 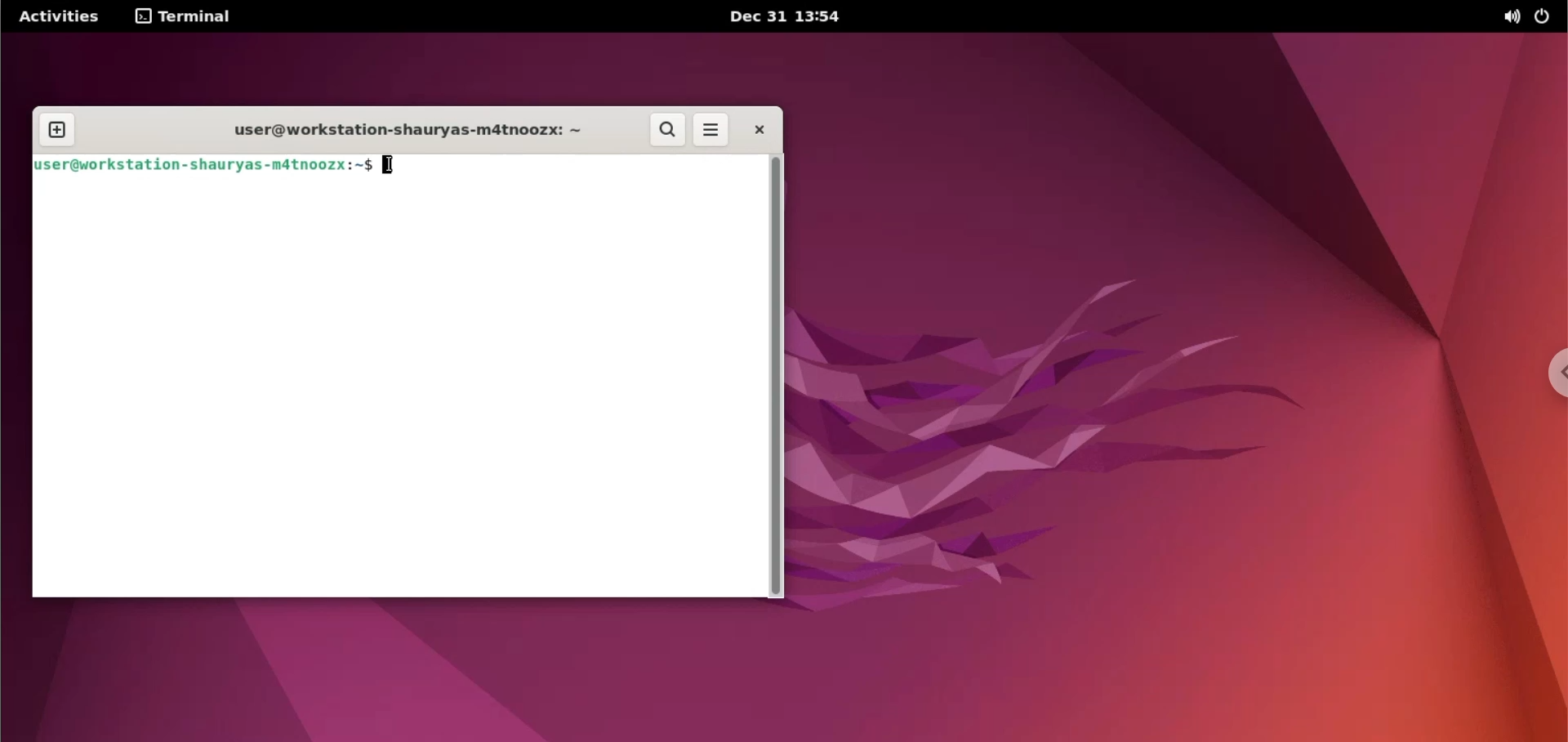 What do you see at coordinates (778, 378) in the screenshot?
I see `scrollbar` at bounding box center [778, 378].